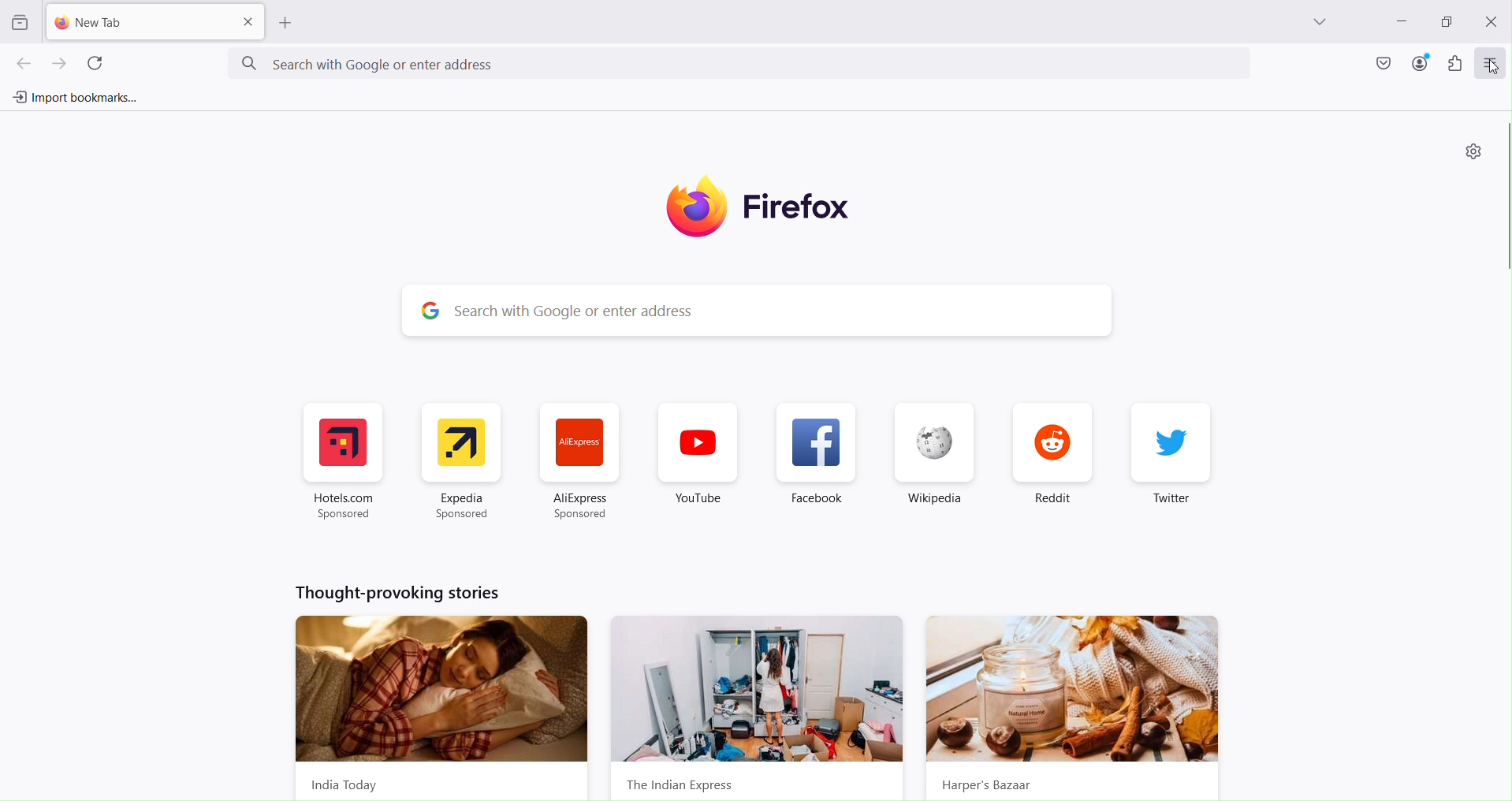 This screenshot has height=801, width=1512. Describe the element at coordinates (438, 705) in the screenshot. I see `India today` at that location.